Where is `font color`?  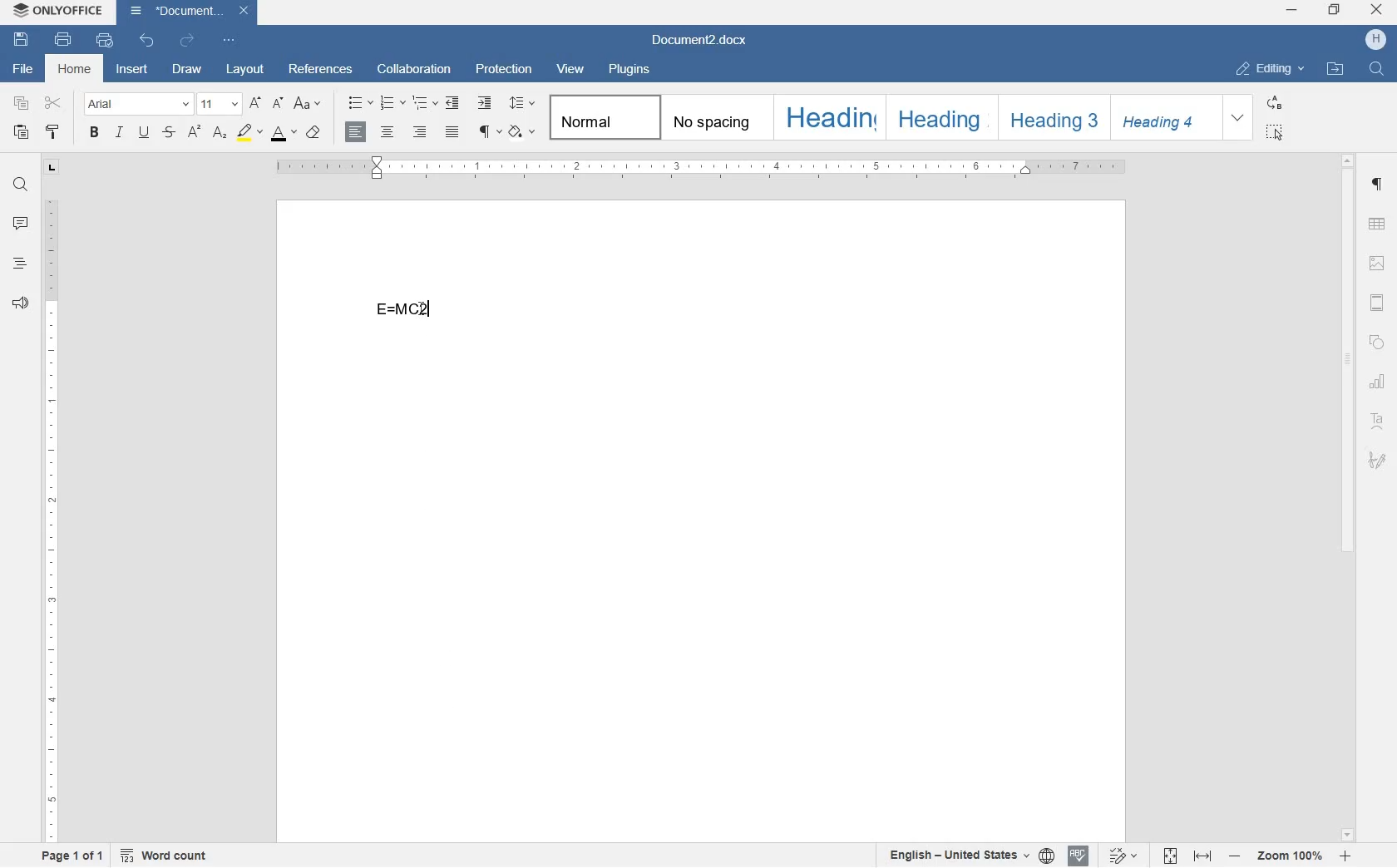
font color is located at coordinates (285, 133).